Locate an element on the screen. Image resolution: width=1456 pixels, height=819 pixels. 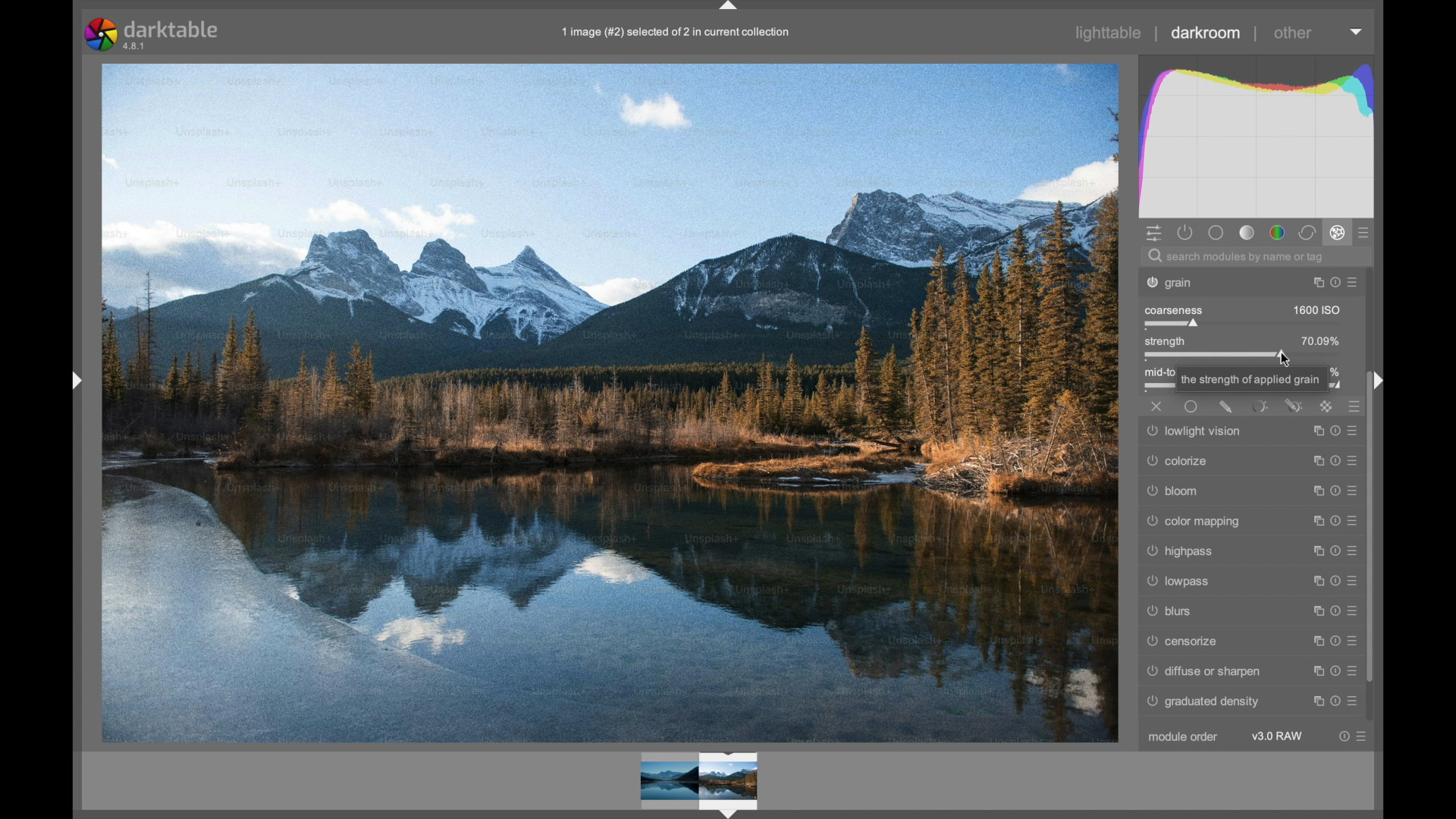
1600 ISO is located at coordinates (1318, 309).